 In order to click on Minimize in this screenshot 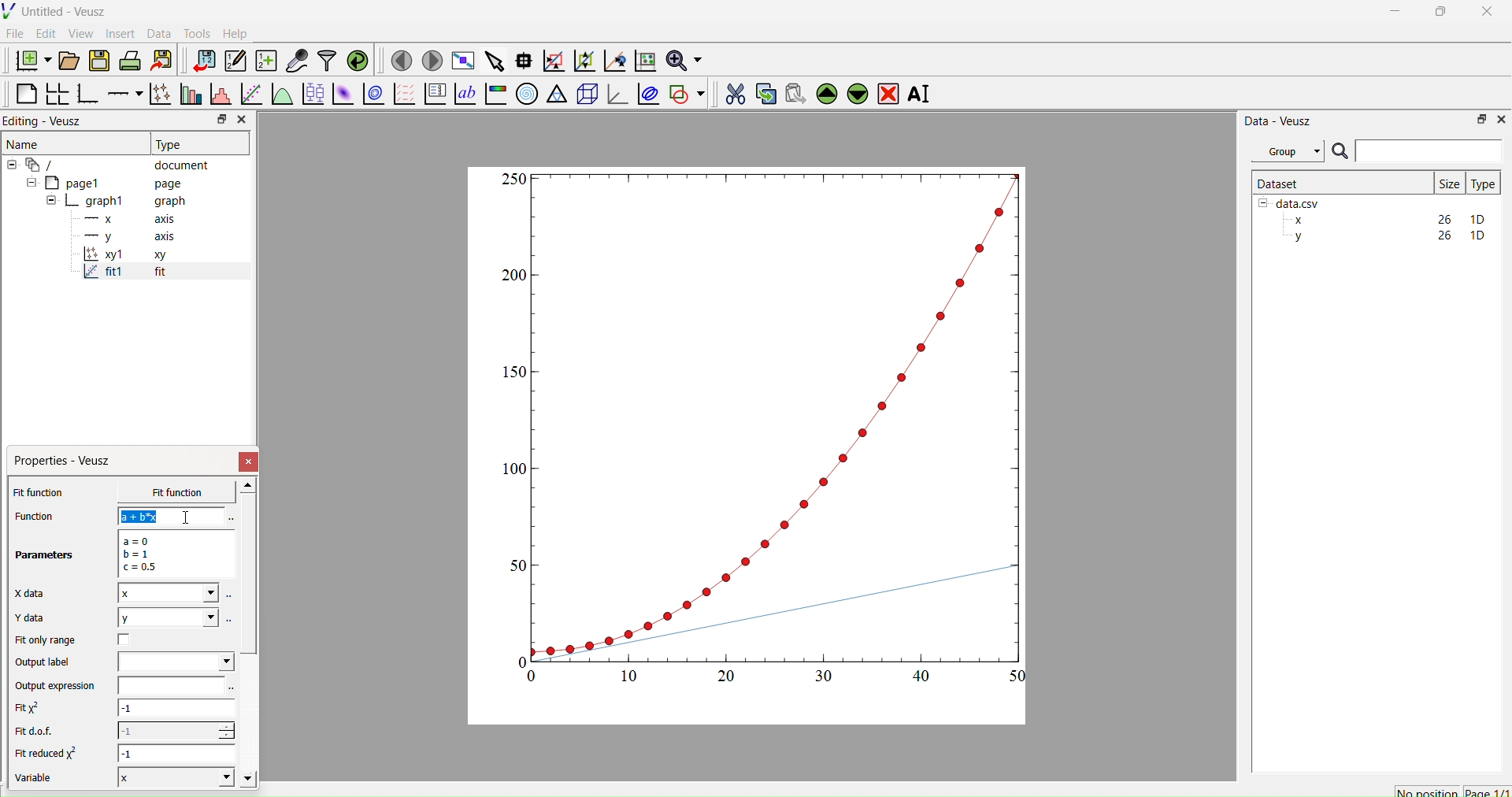, I will do `click(1395, 15)`.